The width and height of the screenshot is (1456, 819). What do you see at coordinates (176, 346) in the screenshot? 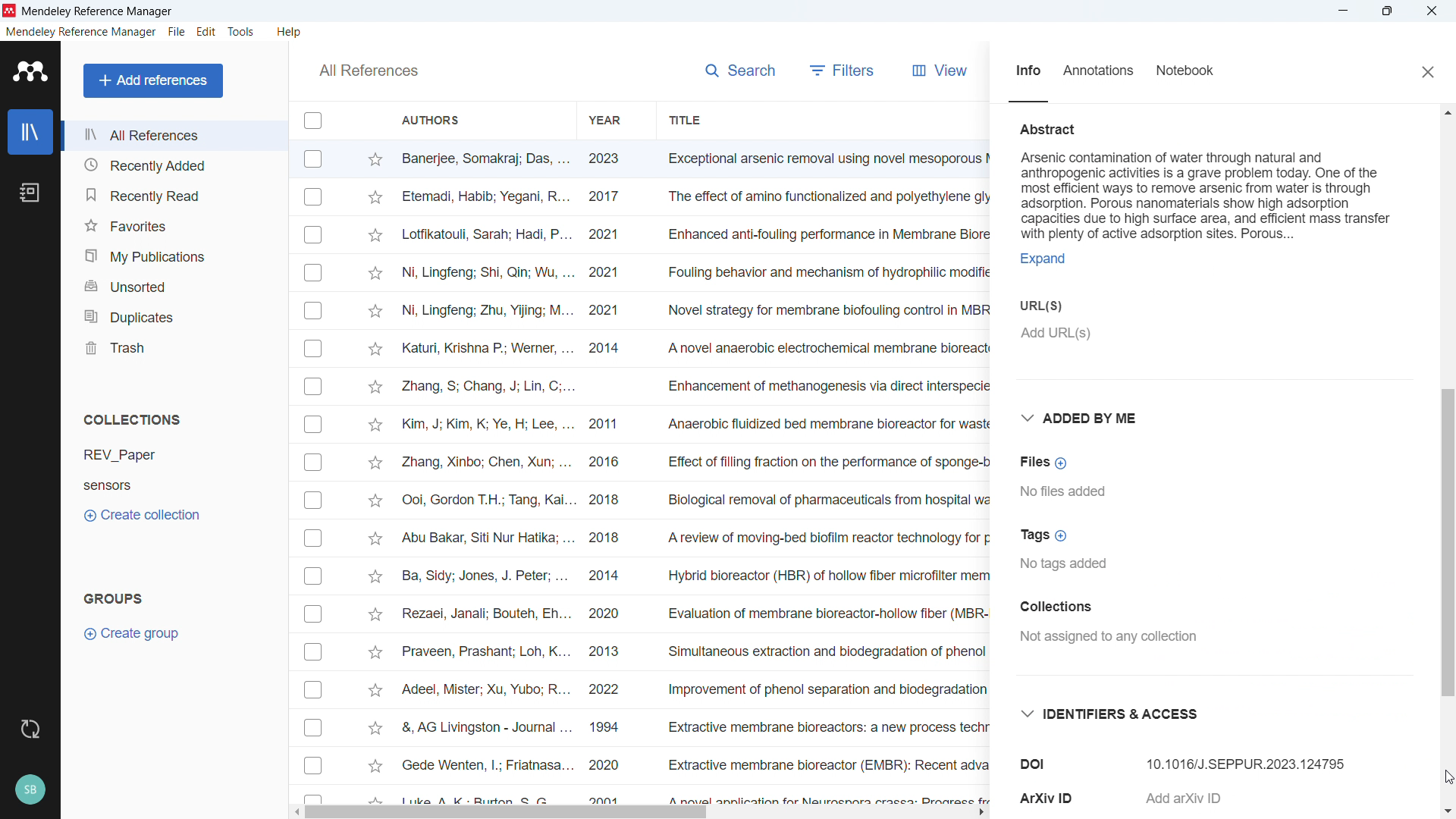
I see `trash` at bounding box center [176, 346].